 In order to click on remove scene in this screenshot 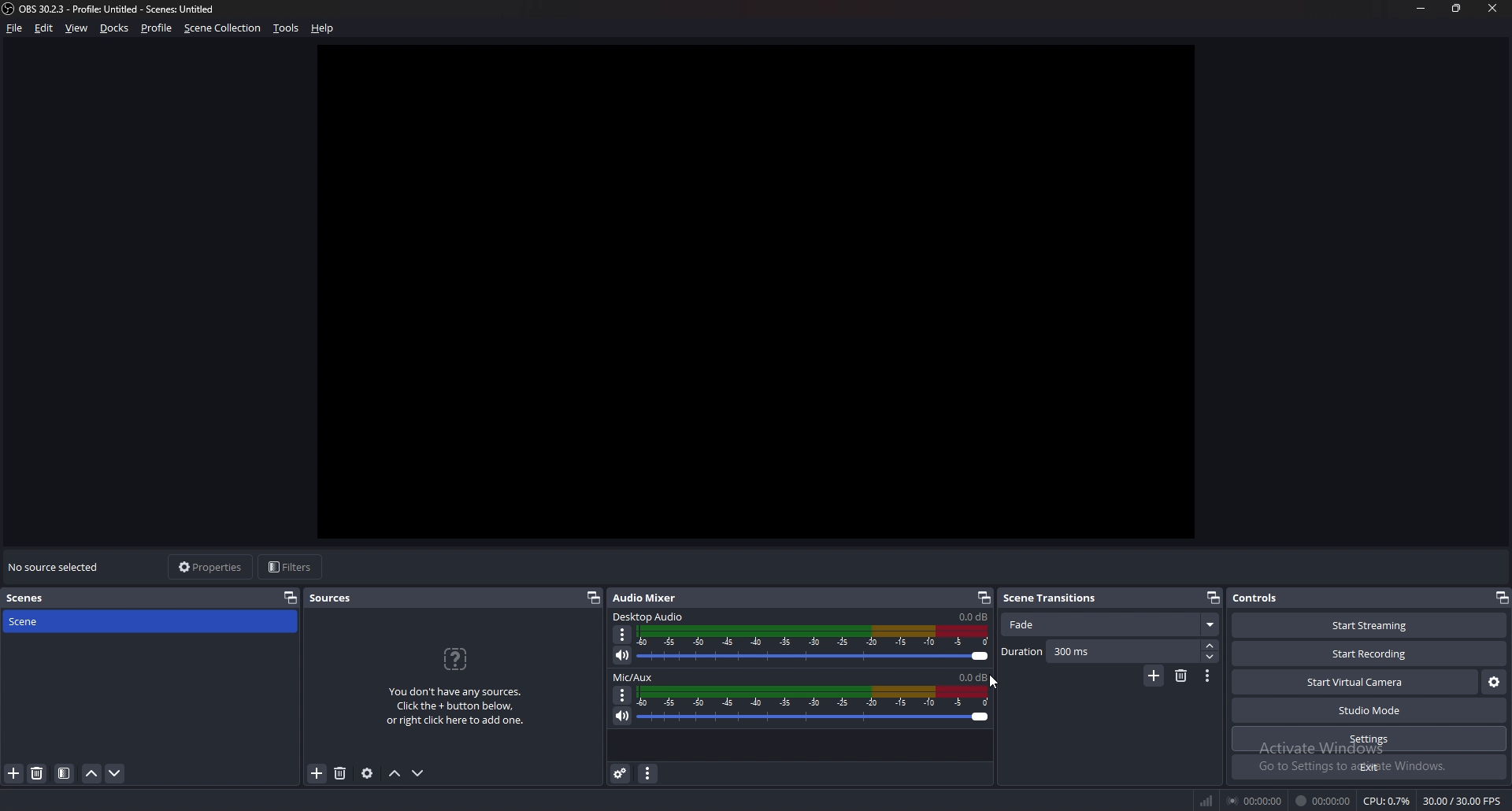, I will do `click(1182, 676)`.